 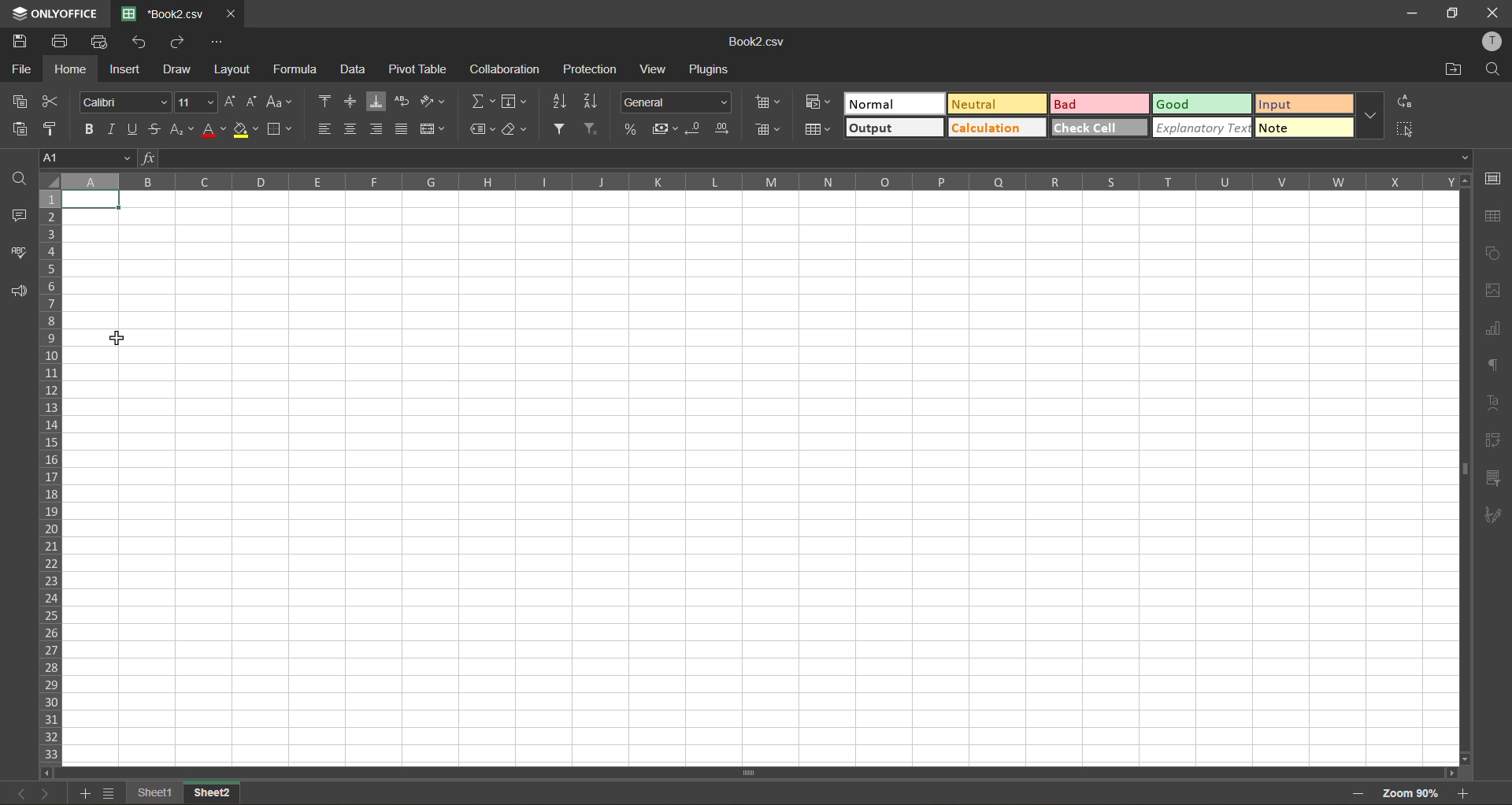 I want to click on home, so click(x=67, y=69).